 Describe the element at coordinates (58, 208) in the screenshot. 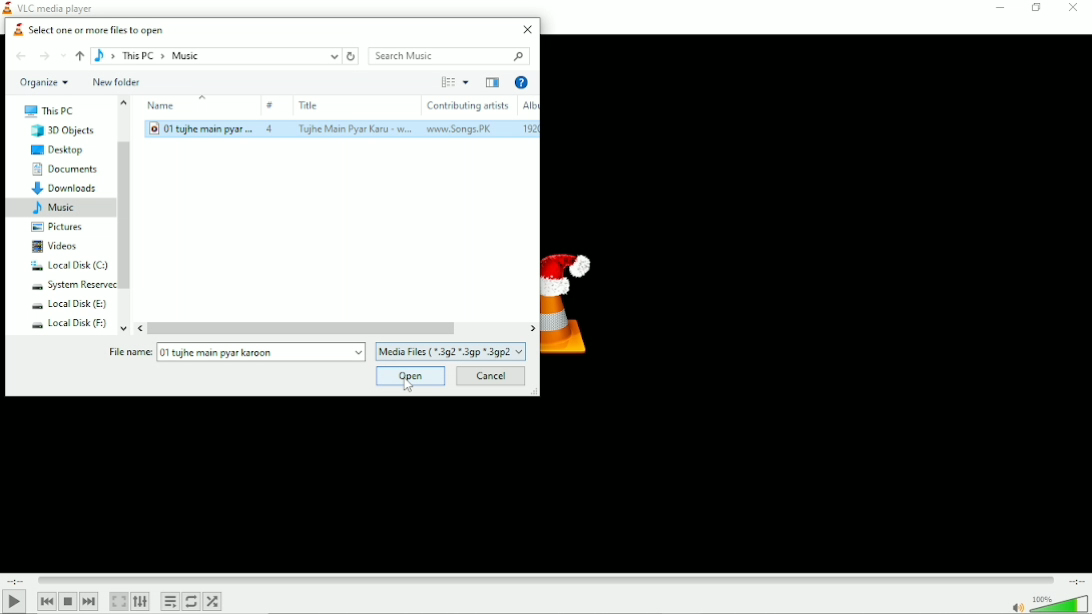

I see `Music` at that location.